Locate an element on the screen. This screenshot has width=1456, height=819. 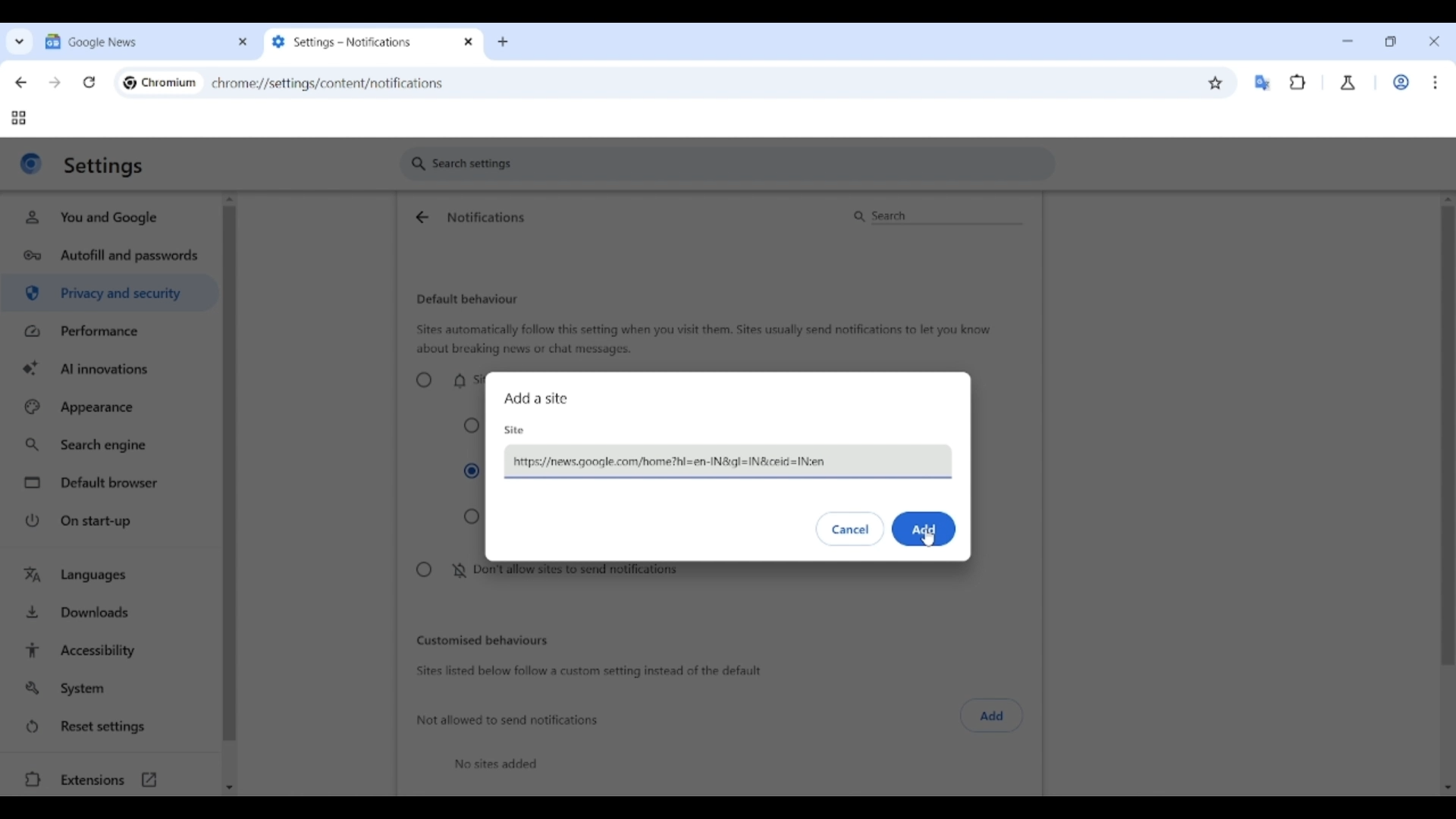
Reset settings is located at coordinates (110, 727).